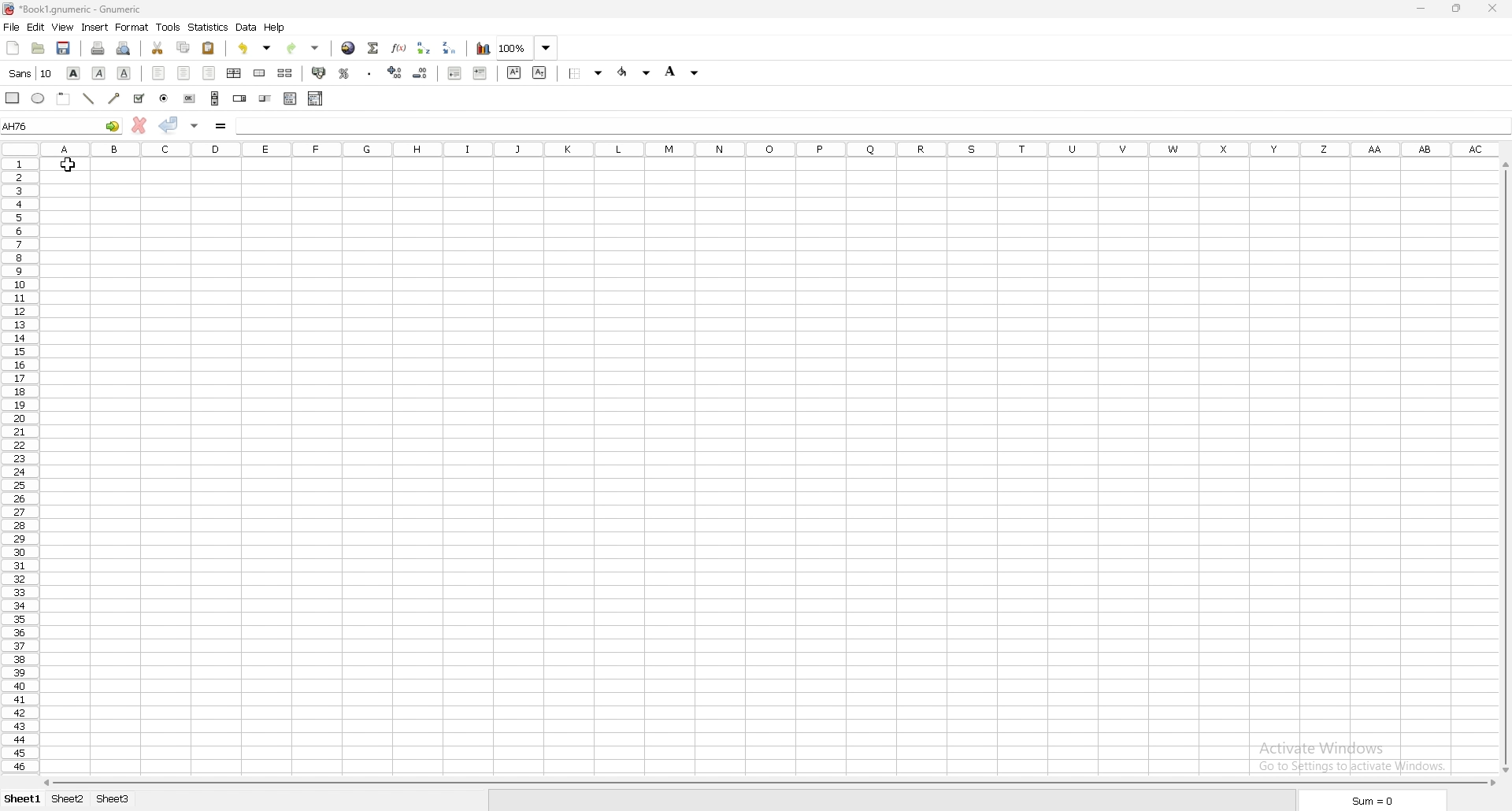  I want to click on insert, so click(96, 27).